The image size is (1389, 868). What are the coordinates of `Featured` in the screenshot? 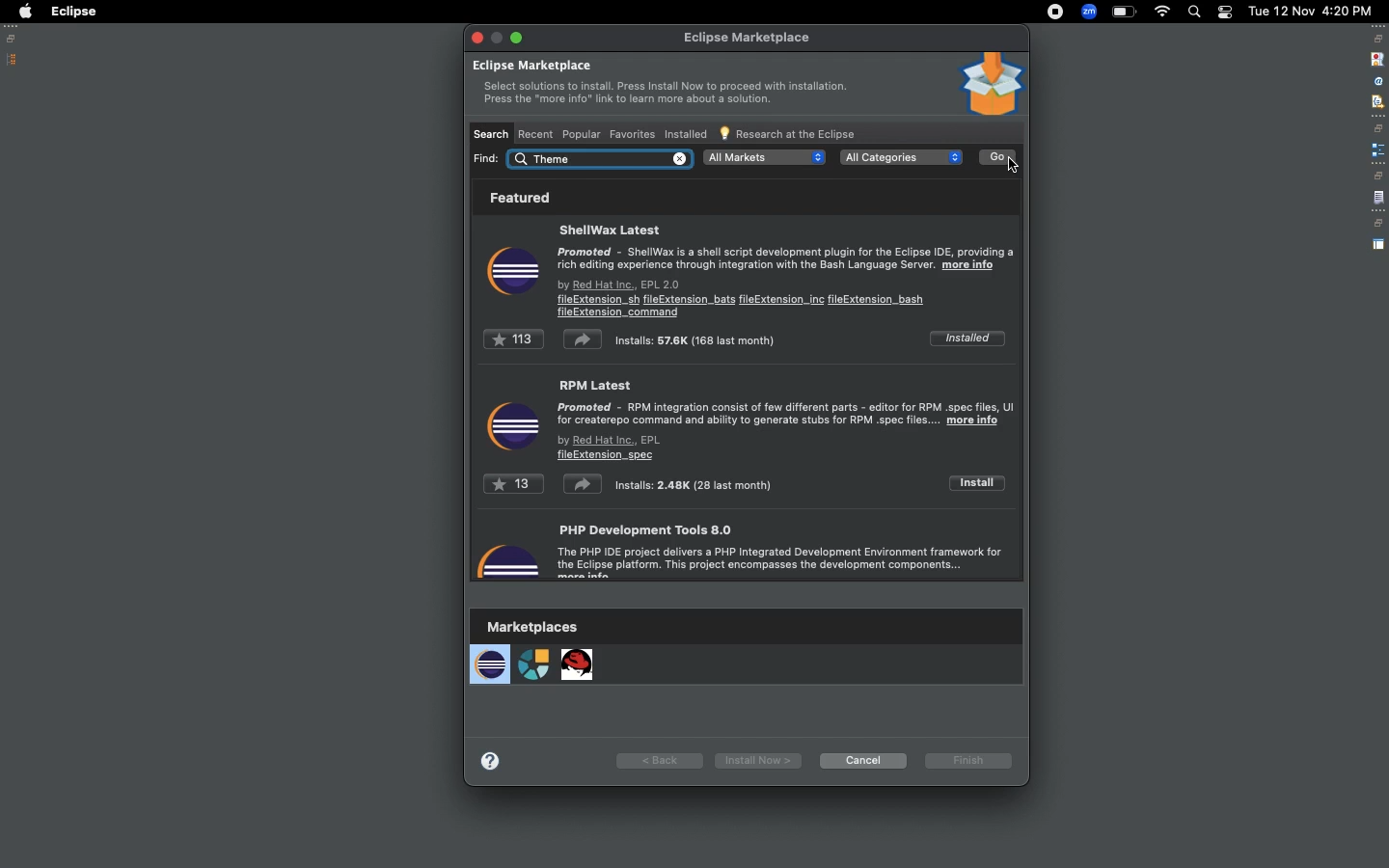 It's located at (516, 197).